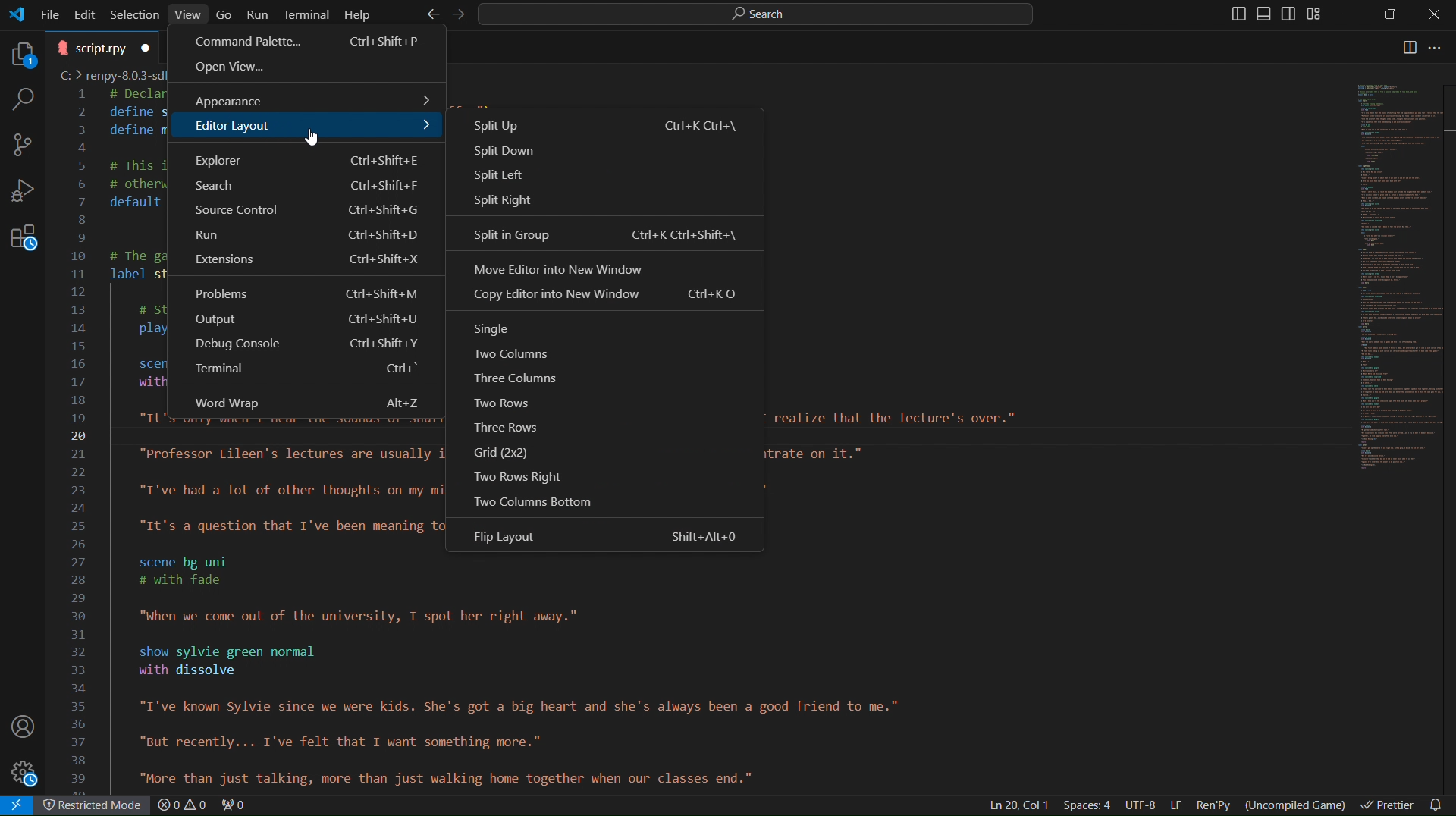  What do you see at coordinates (308, 70) in the screenshot?
I see `Open View` at bounding box center [308, 70].